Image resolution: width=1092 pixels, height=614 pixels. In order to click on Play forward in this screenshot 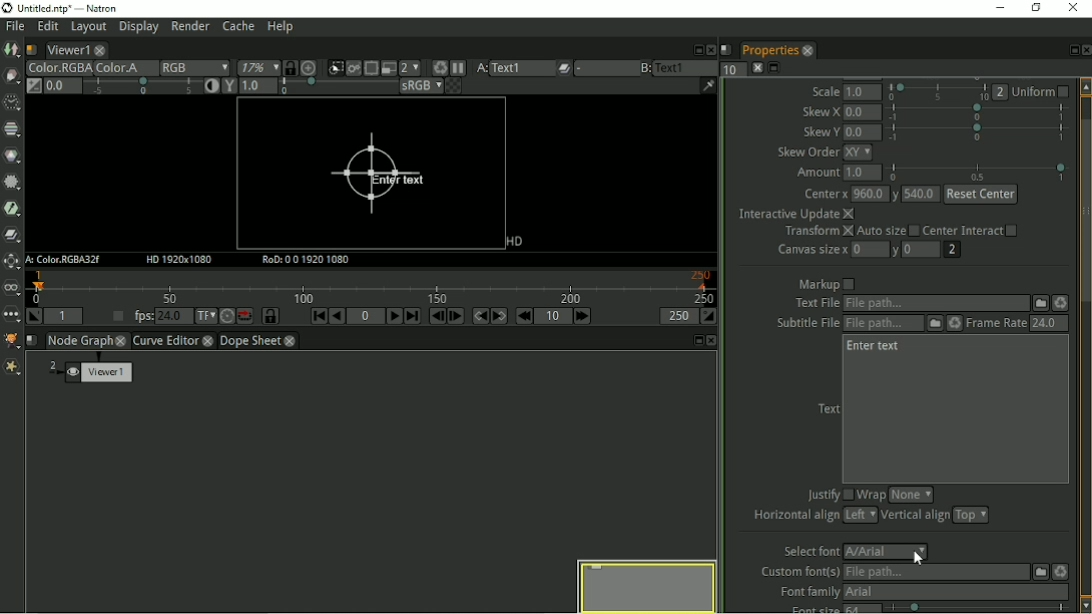, I will do `click(395, 316)`.